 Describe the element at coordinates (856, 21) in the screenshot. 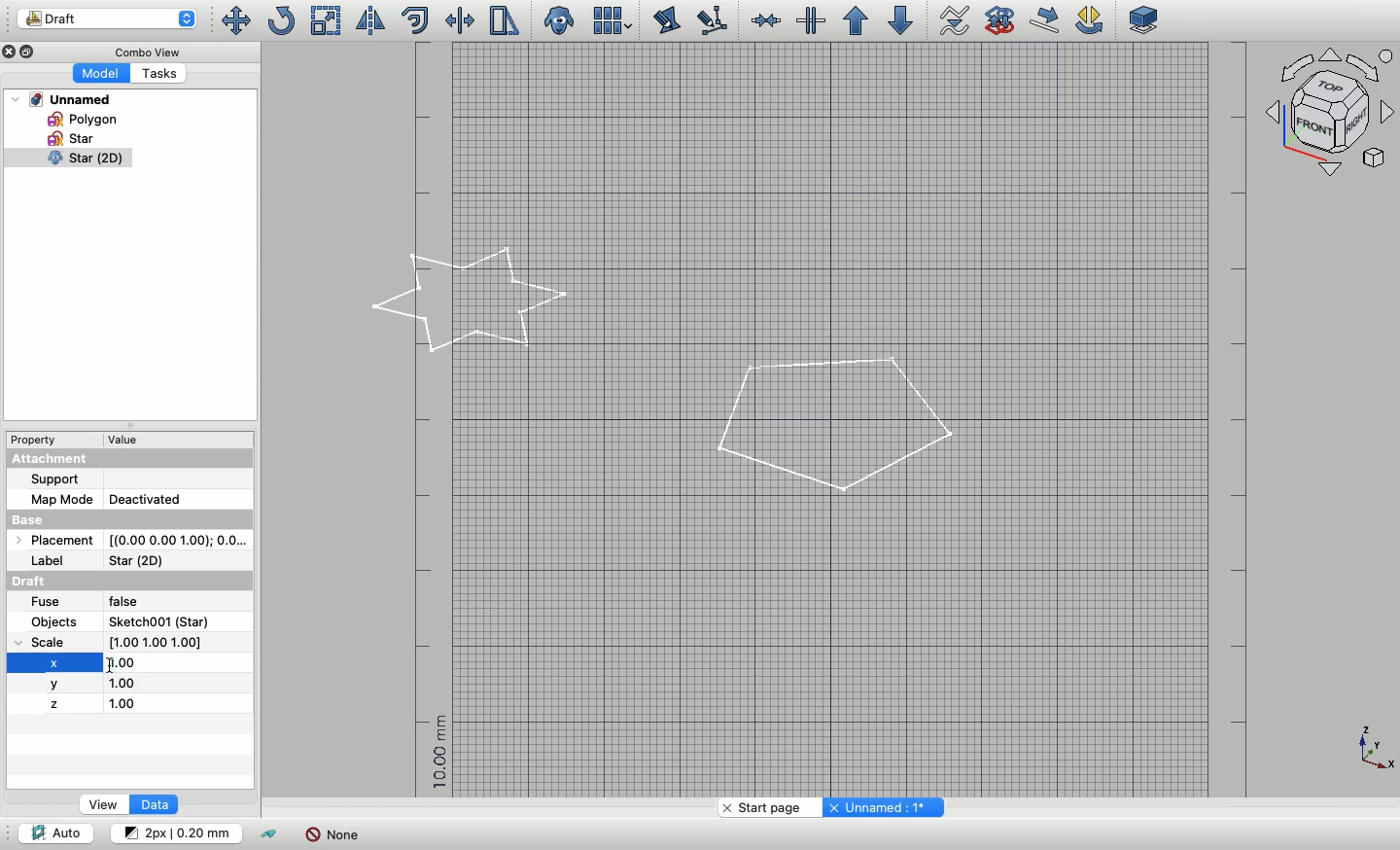

I see `Upgrade` at that location.